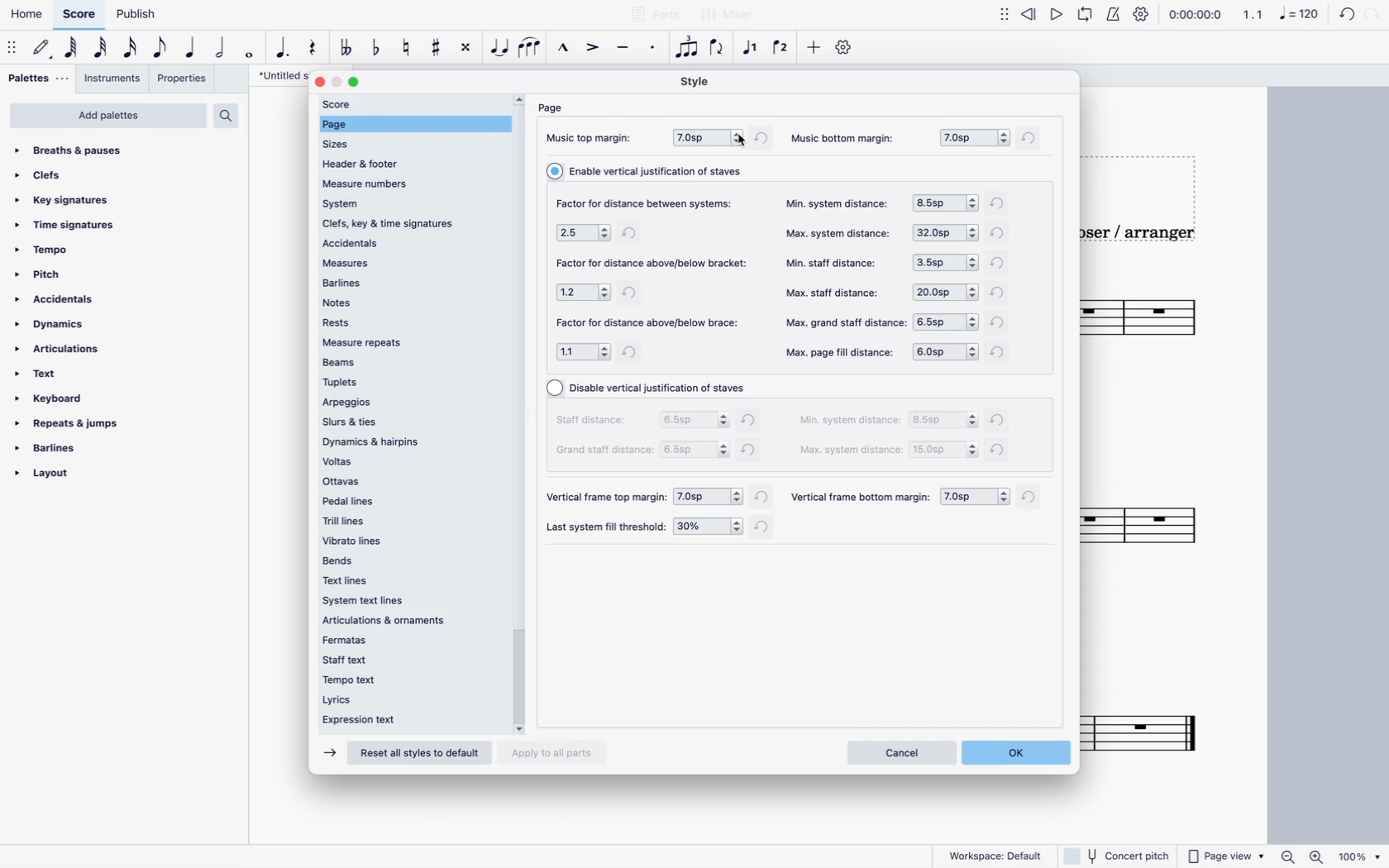  Describe the element at coordinates (114, 79) in the screenshot. I see `instruments` at that location.